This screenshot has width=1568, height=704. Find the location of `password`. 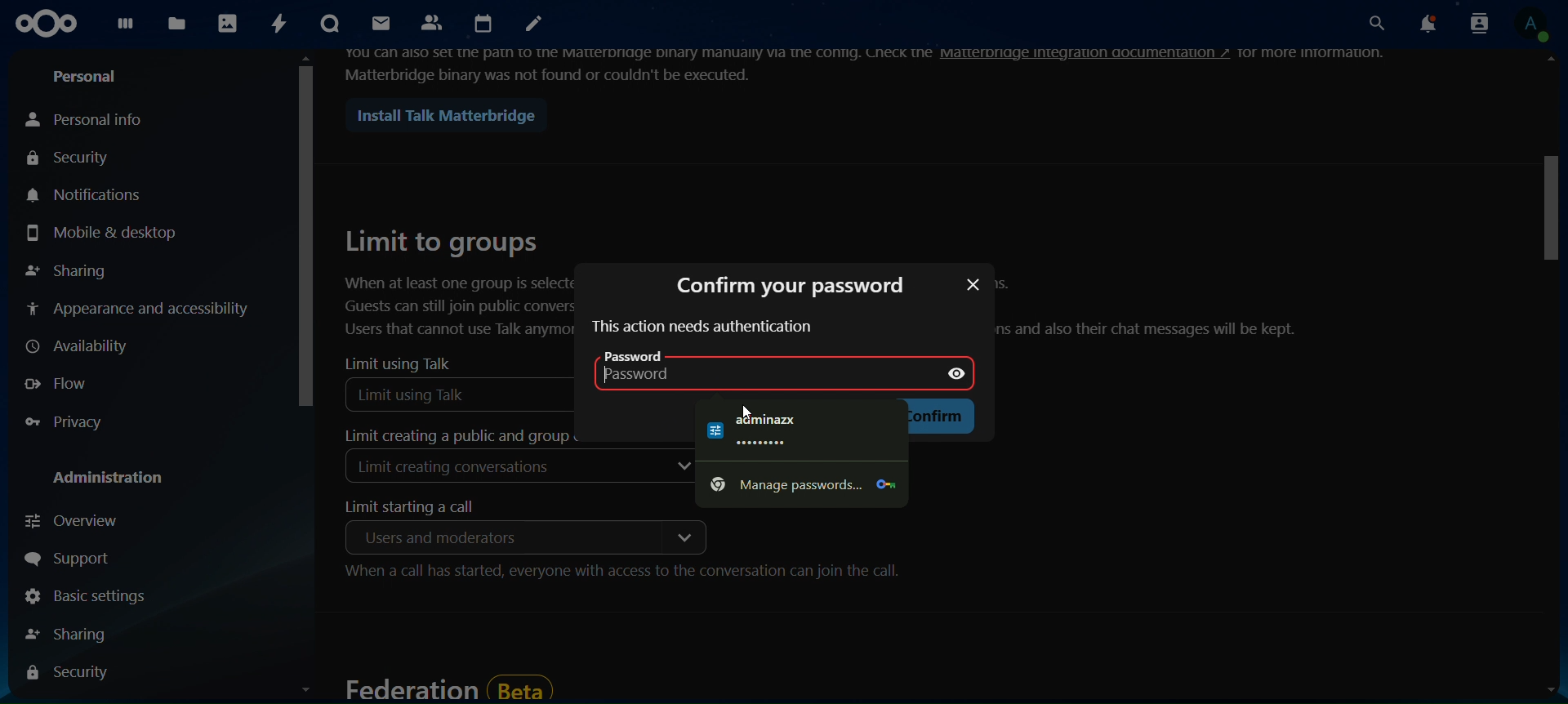

password is located at coordinates (651, 357).